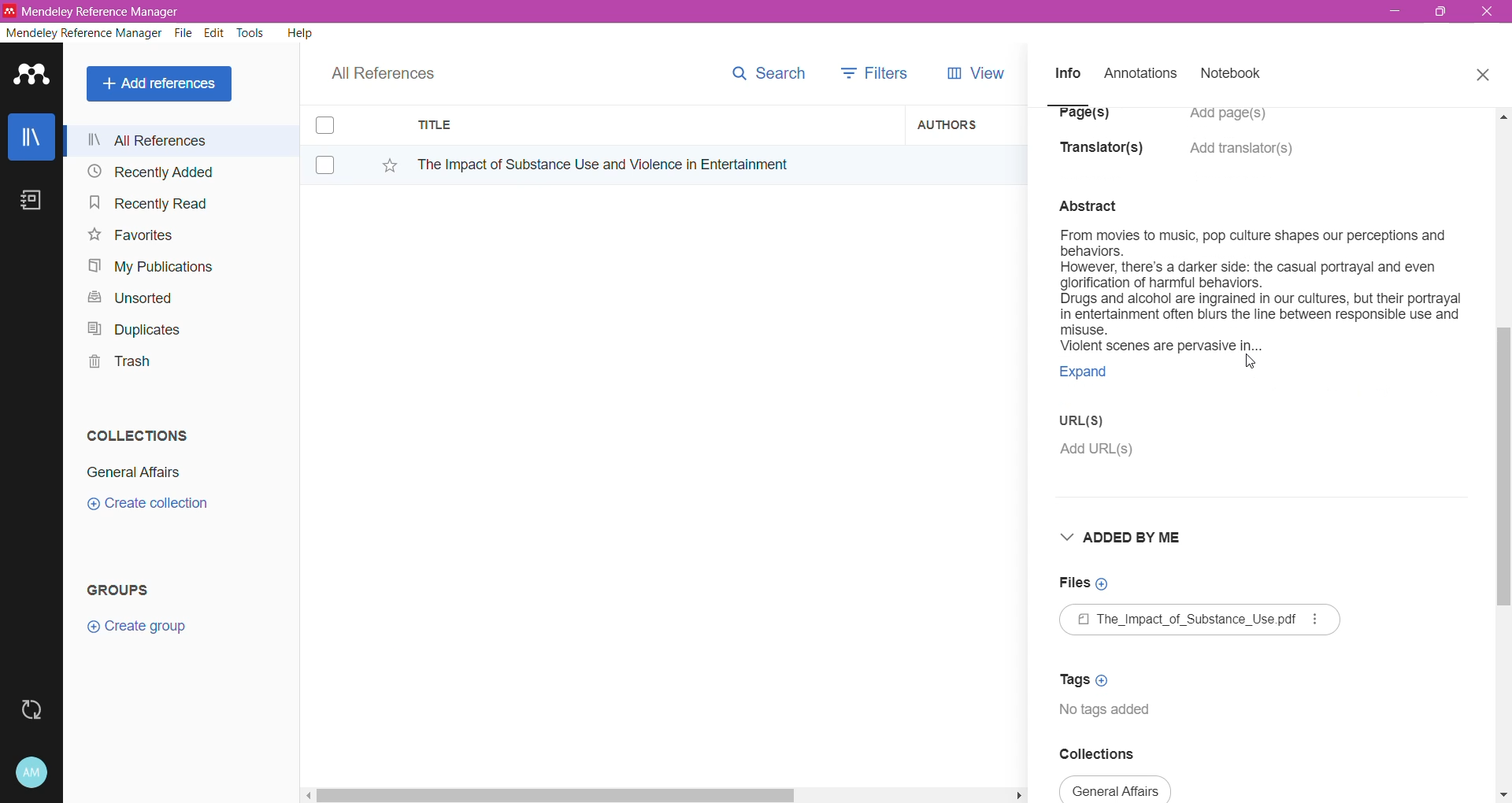 The height and width of the screenshot is (803, 1512). What do you see at coordinates (333, 144) in the screenshot?
I see `Click to select item(s)` at bounding box center [333, 144].